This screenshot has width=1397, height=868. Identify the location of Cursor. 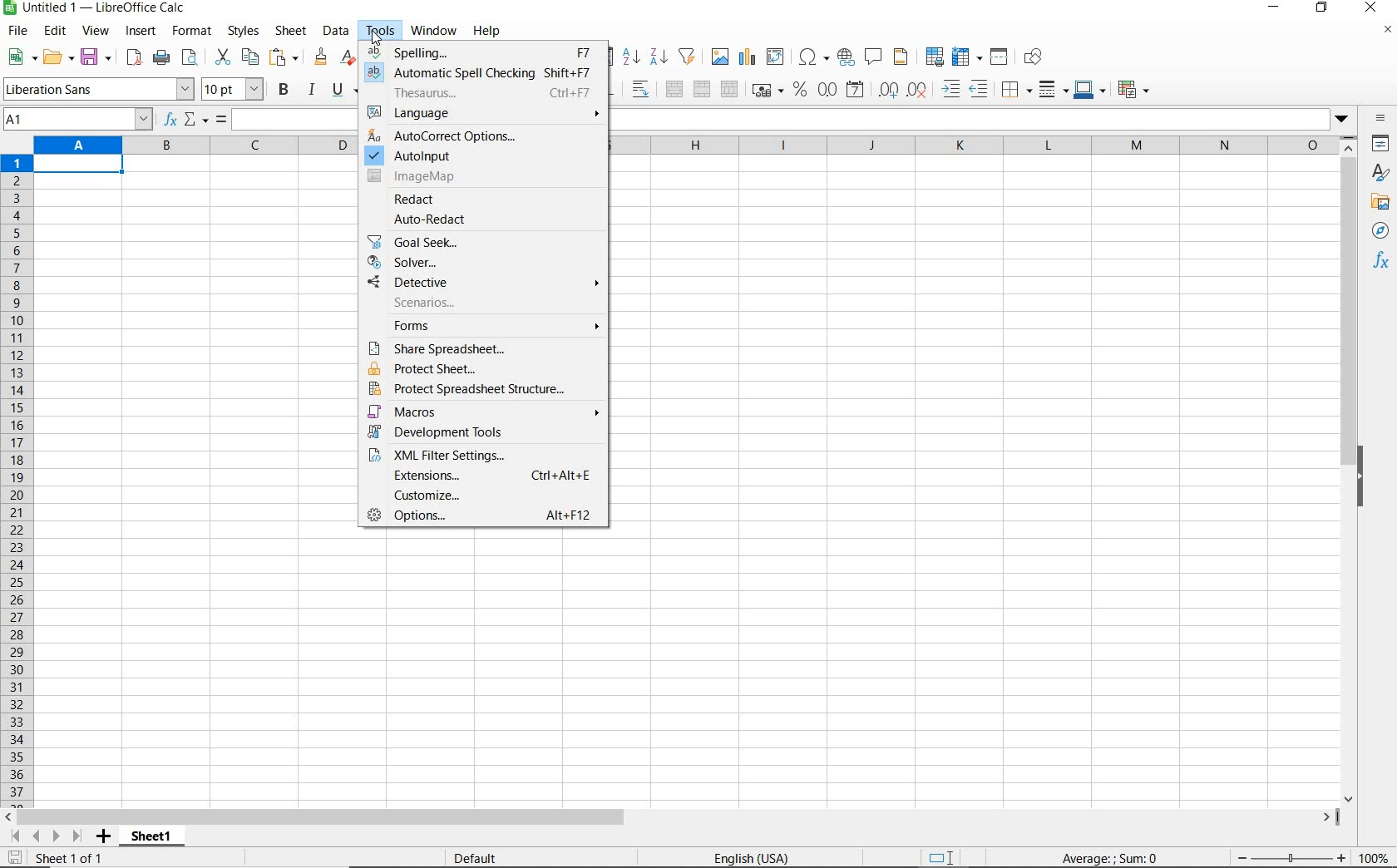
(379, 39).